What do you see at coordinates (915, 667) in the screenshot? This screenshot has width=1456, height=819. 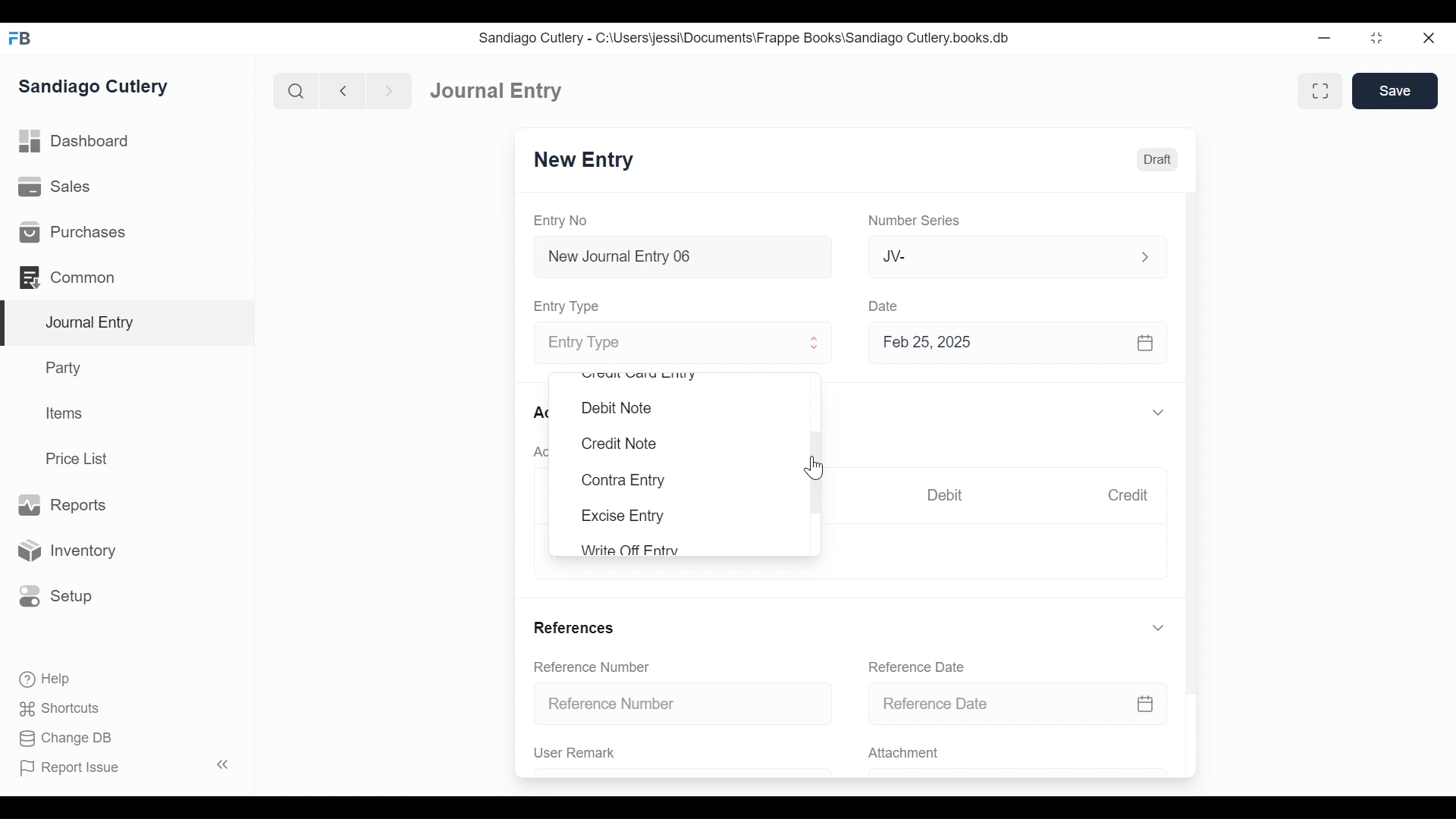 I see `Reference Date` at bounding box center [915, 667].